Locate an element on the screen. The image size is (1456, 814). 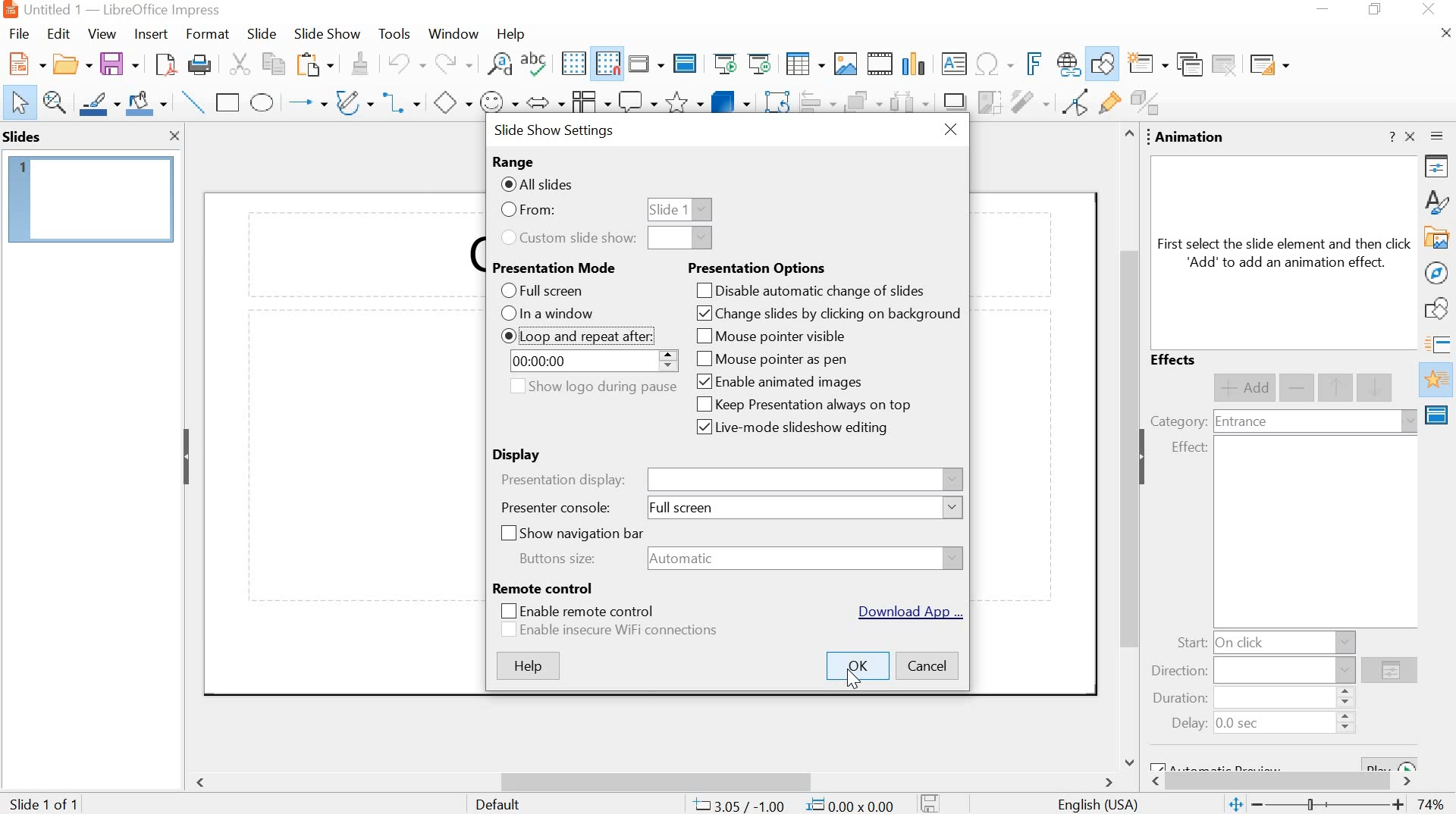
close window is located at coordinates (950, 131).